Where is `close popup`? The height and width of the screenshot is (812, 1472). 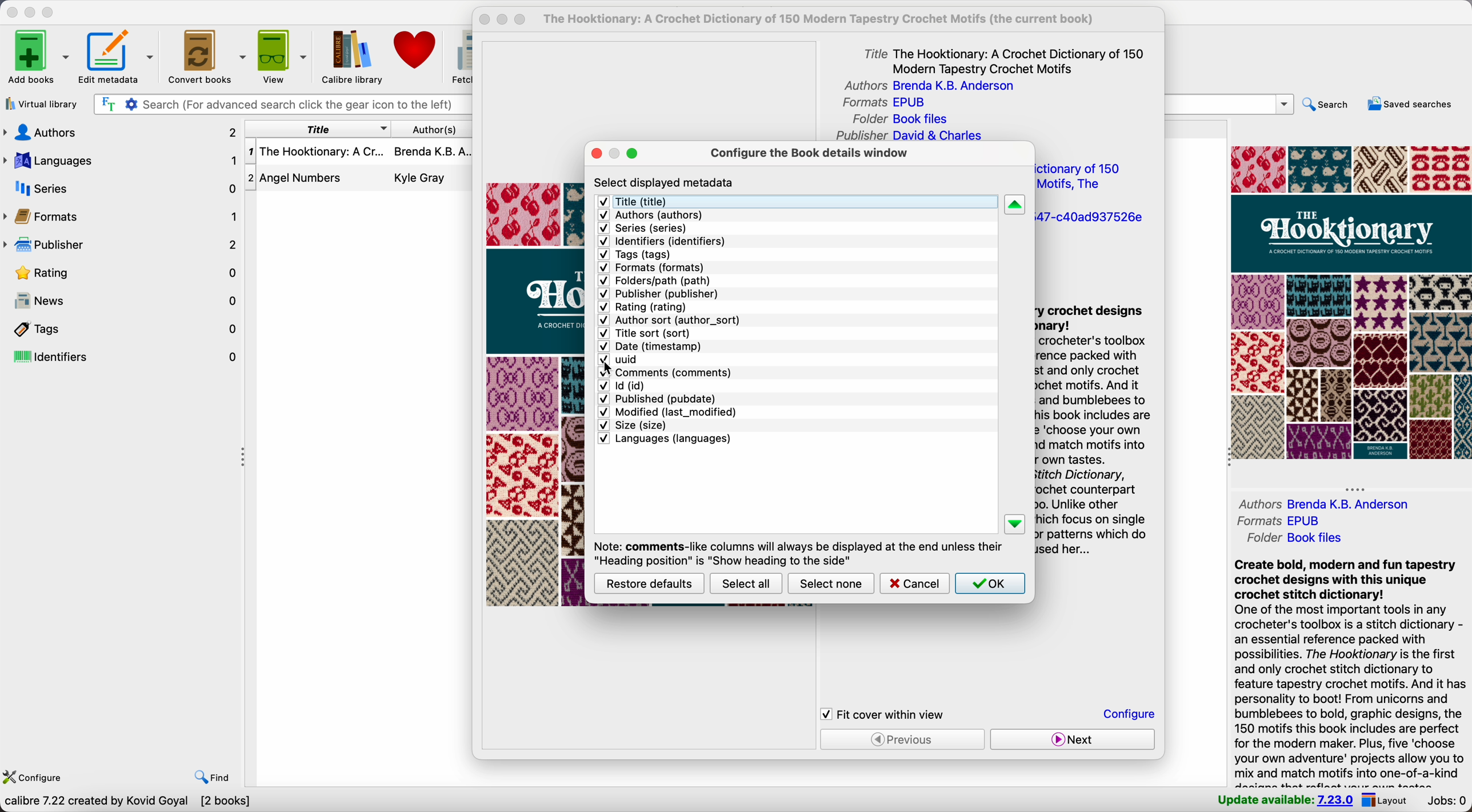
close popup is located at coordinates (485, 19).